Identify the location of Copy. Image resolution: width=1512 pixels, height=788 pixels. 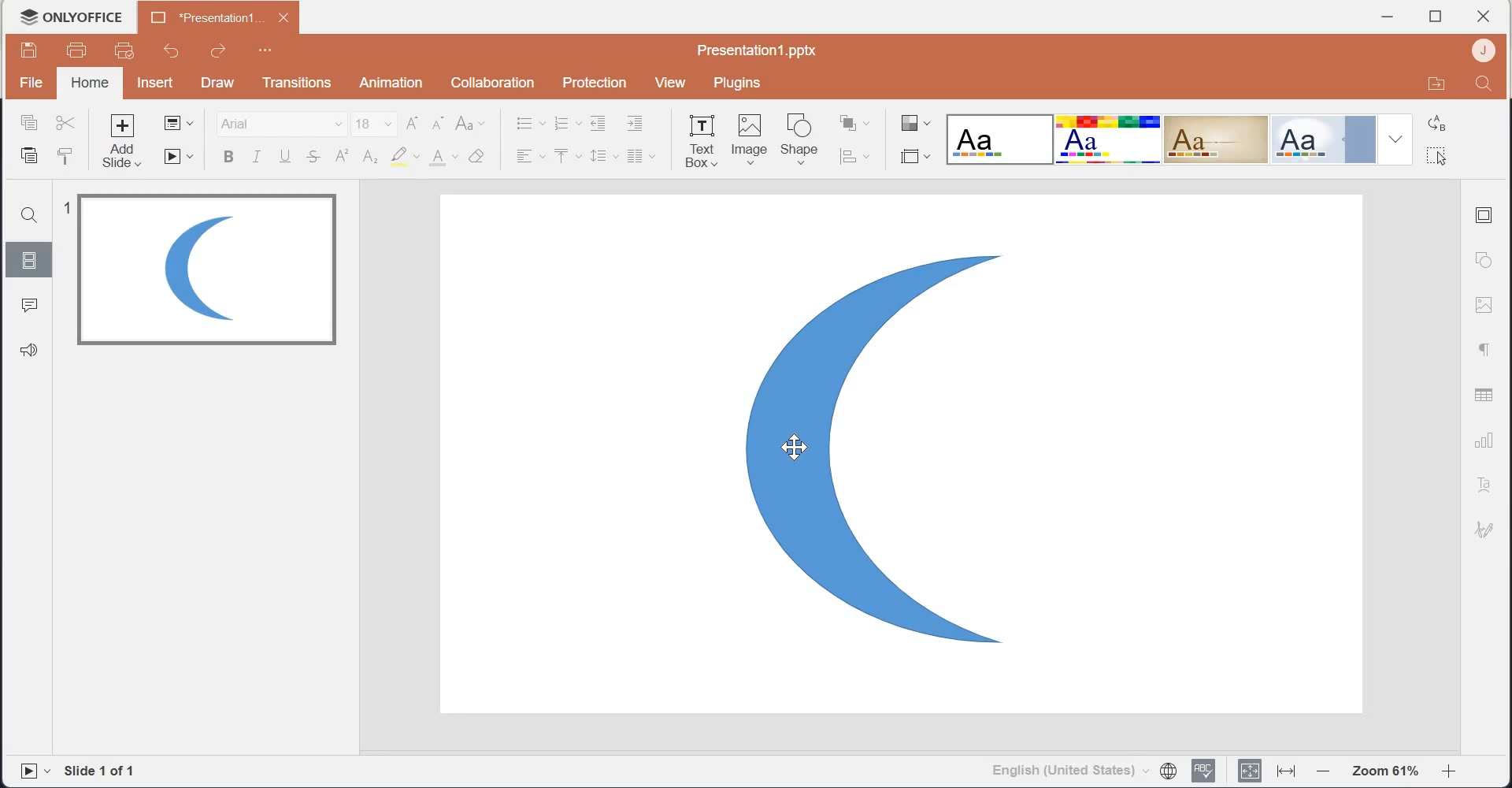
(29, 122).